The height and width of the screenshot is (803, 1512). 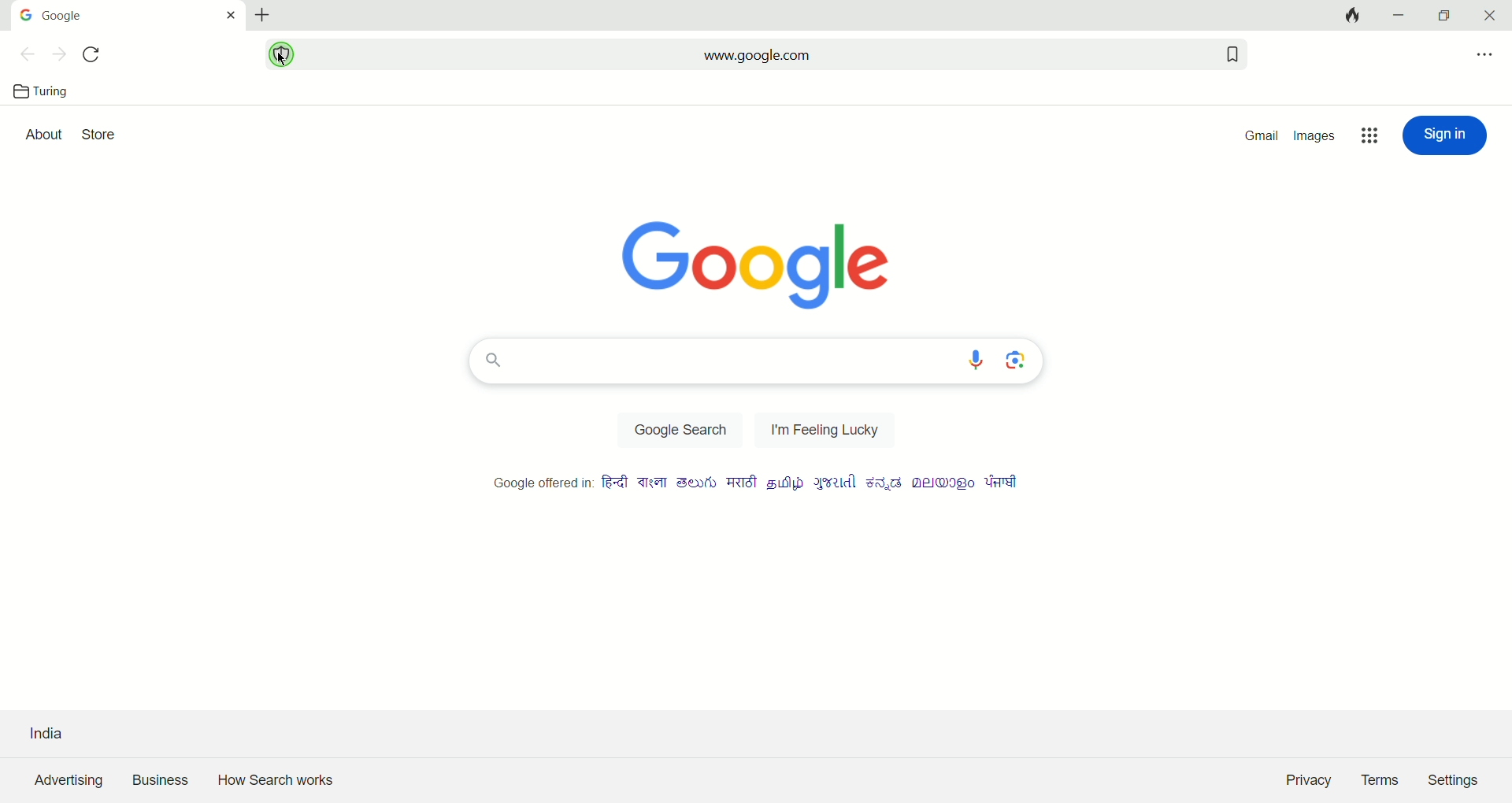 What do you see at coordinates (1002, 481) in the screenshot?
I see `language` at bounding box center [1002, 481].